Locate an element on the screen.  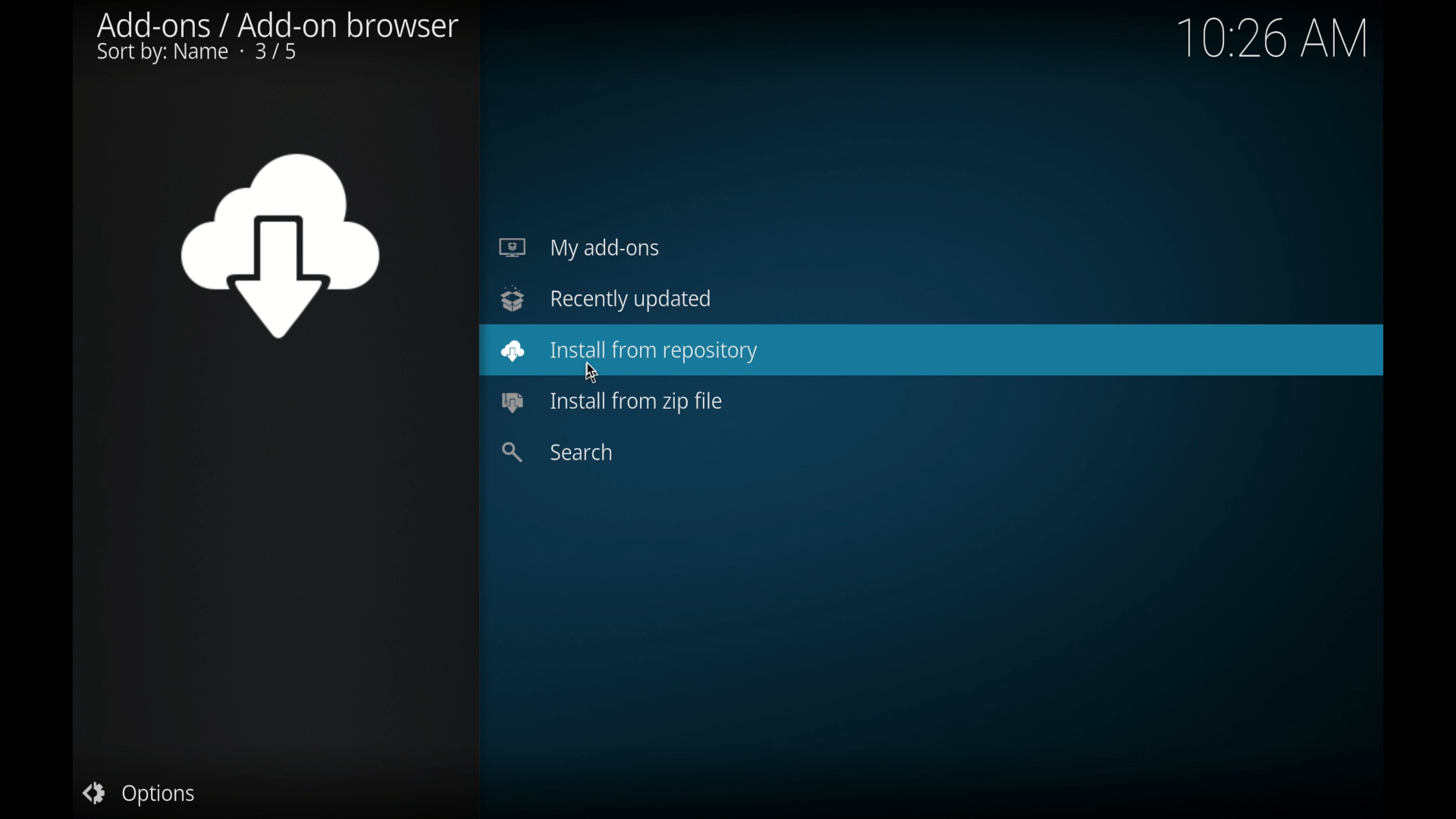
install from zip files is located at coordinates (610, 403).